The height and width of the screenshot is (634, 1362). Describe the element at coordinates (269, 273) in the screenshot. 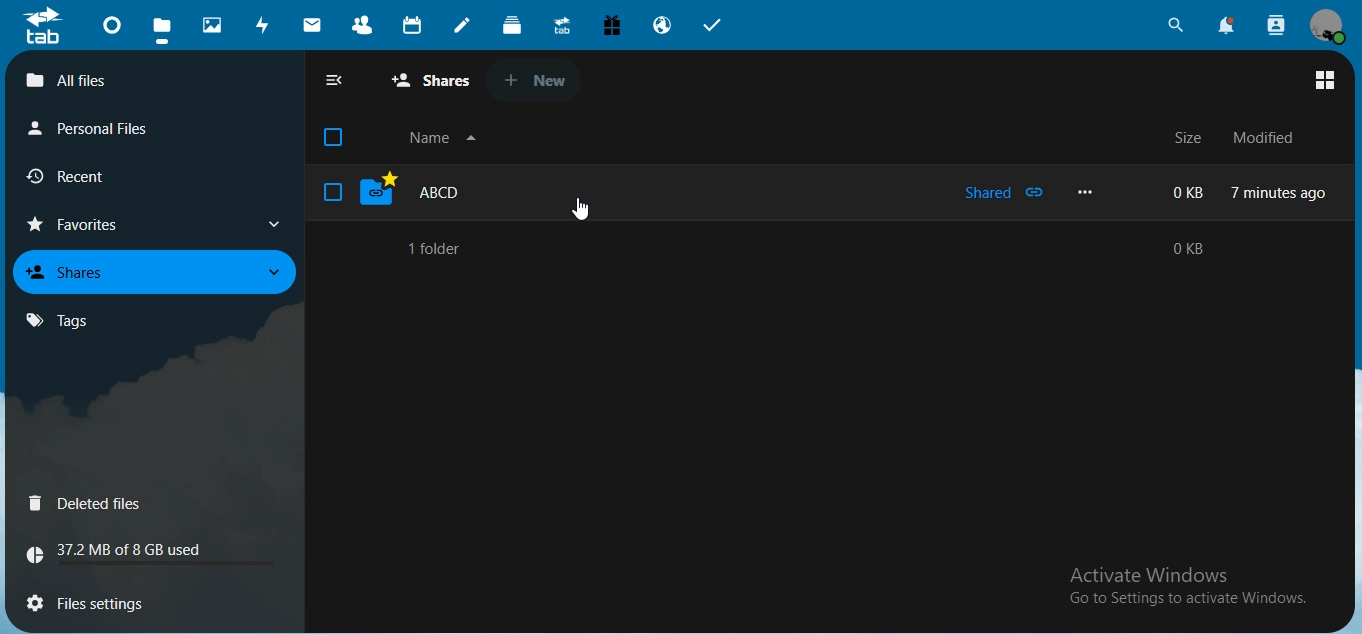

I see `show` at that location.